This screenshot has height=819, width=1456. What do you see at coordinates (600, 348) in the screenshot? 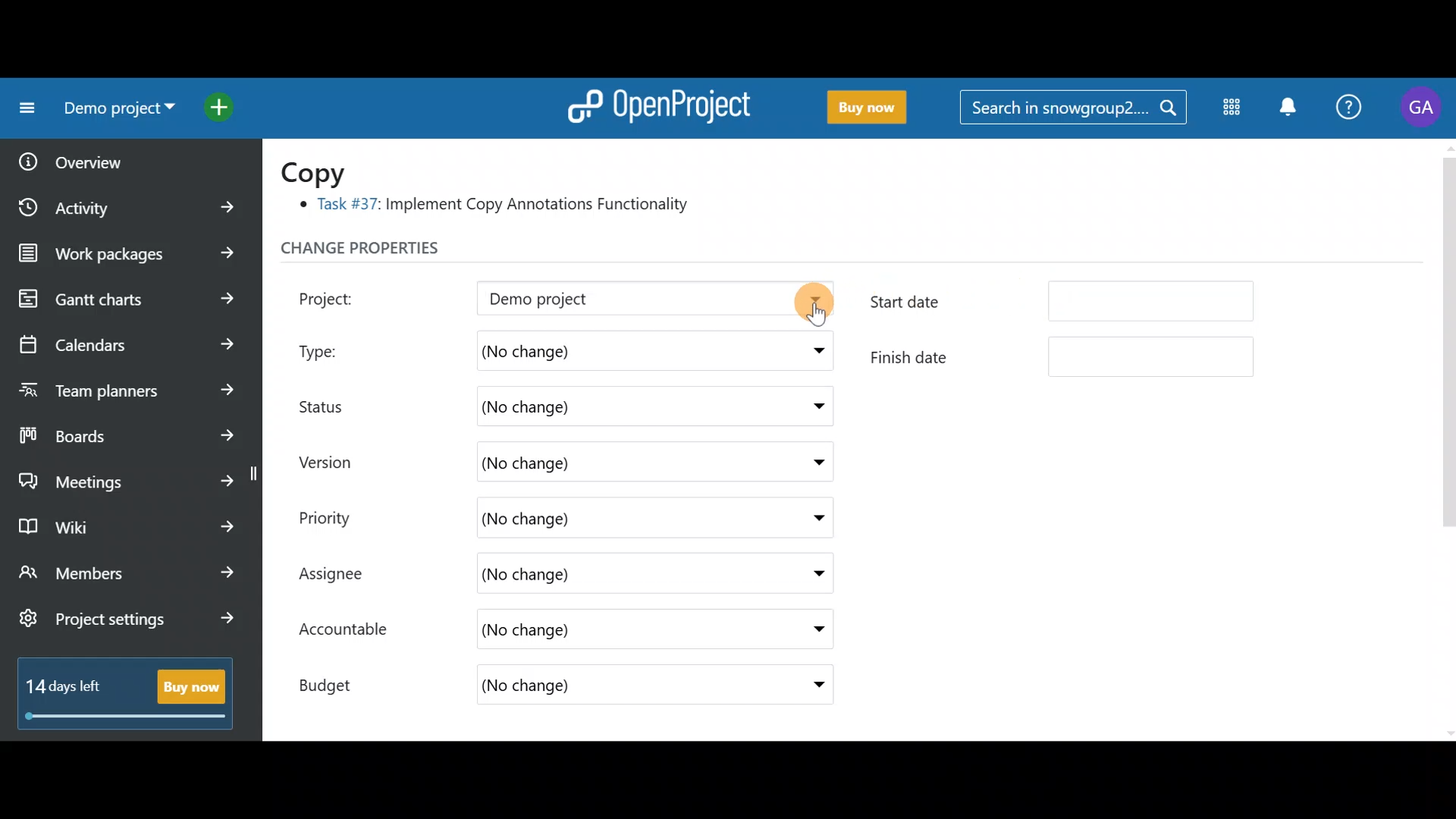
I see `(No change)` at bounding box center [600, 348].